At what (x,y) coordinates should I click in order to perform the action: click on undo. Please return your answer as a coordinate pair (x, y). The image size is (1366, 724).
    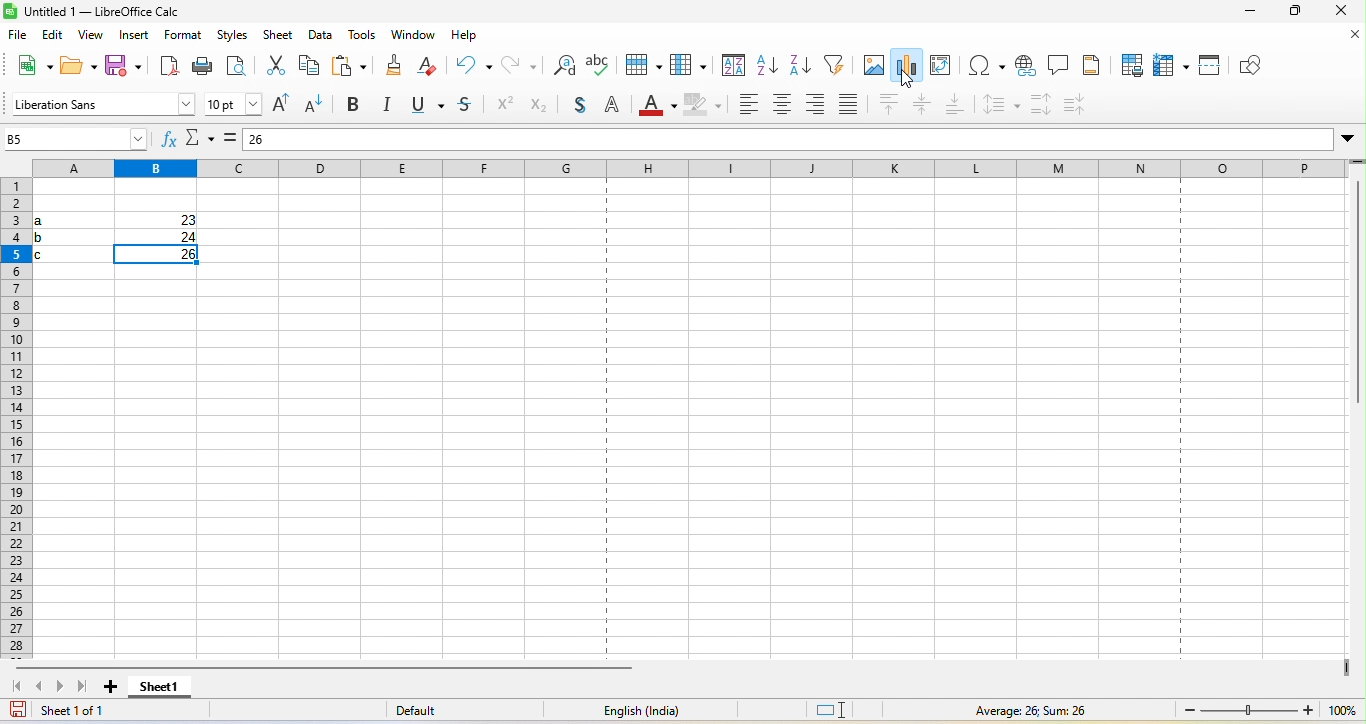
    Looking at the image, I should click on (473, 65).